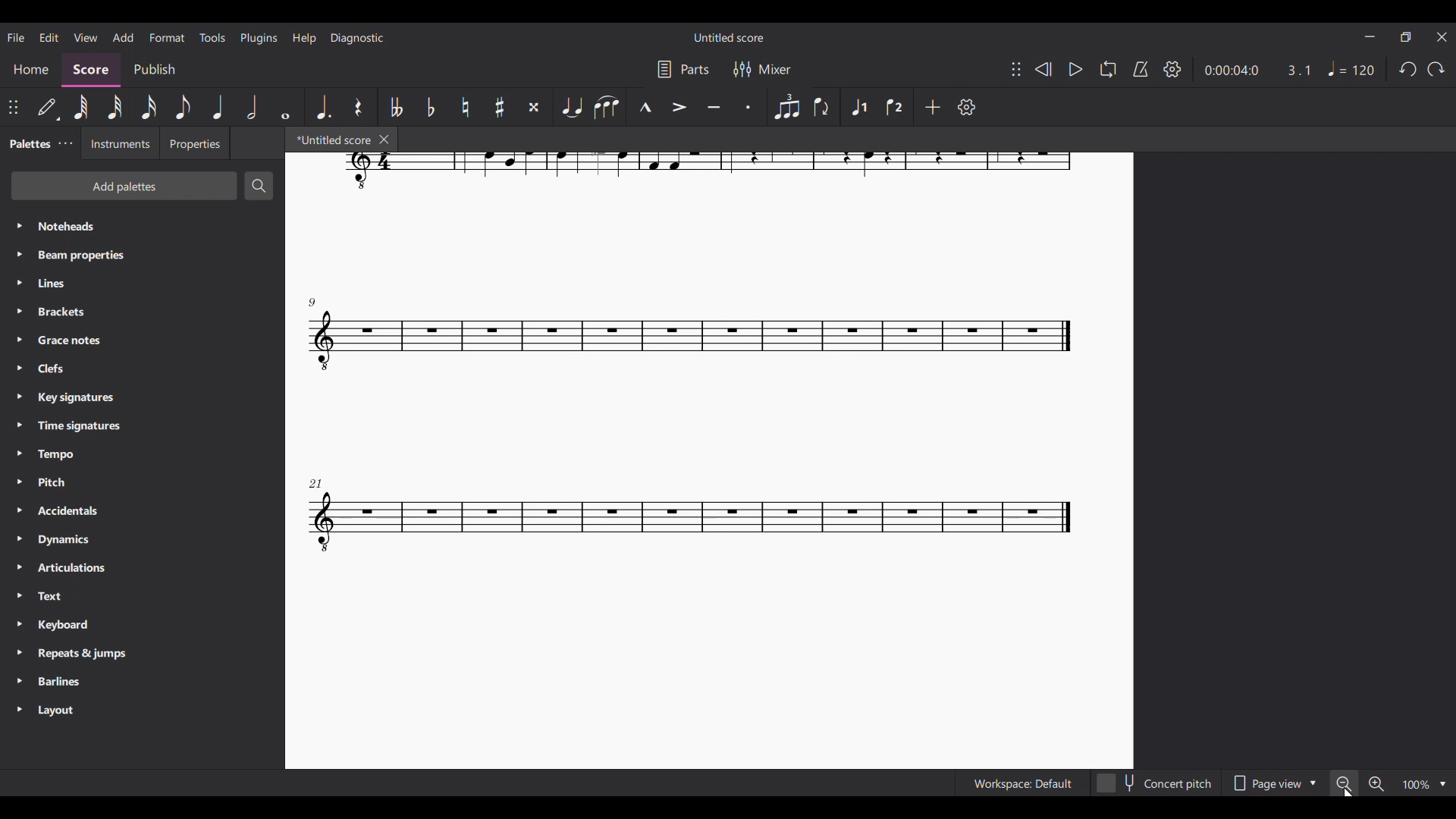 Image resolution: width=1456 pixels, height=819 pixels. What do you see at coordinates (143, 227) in the screenshot?
I see `Noteheads` at bounding box center [143, 227].